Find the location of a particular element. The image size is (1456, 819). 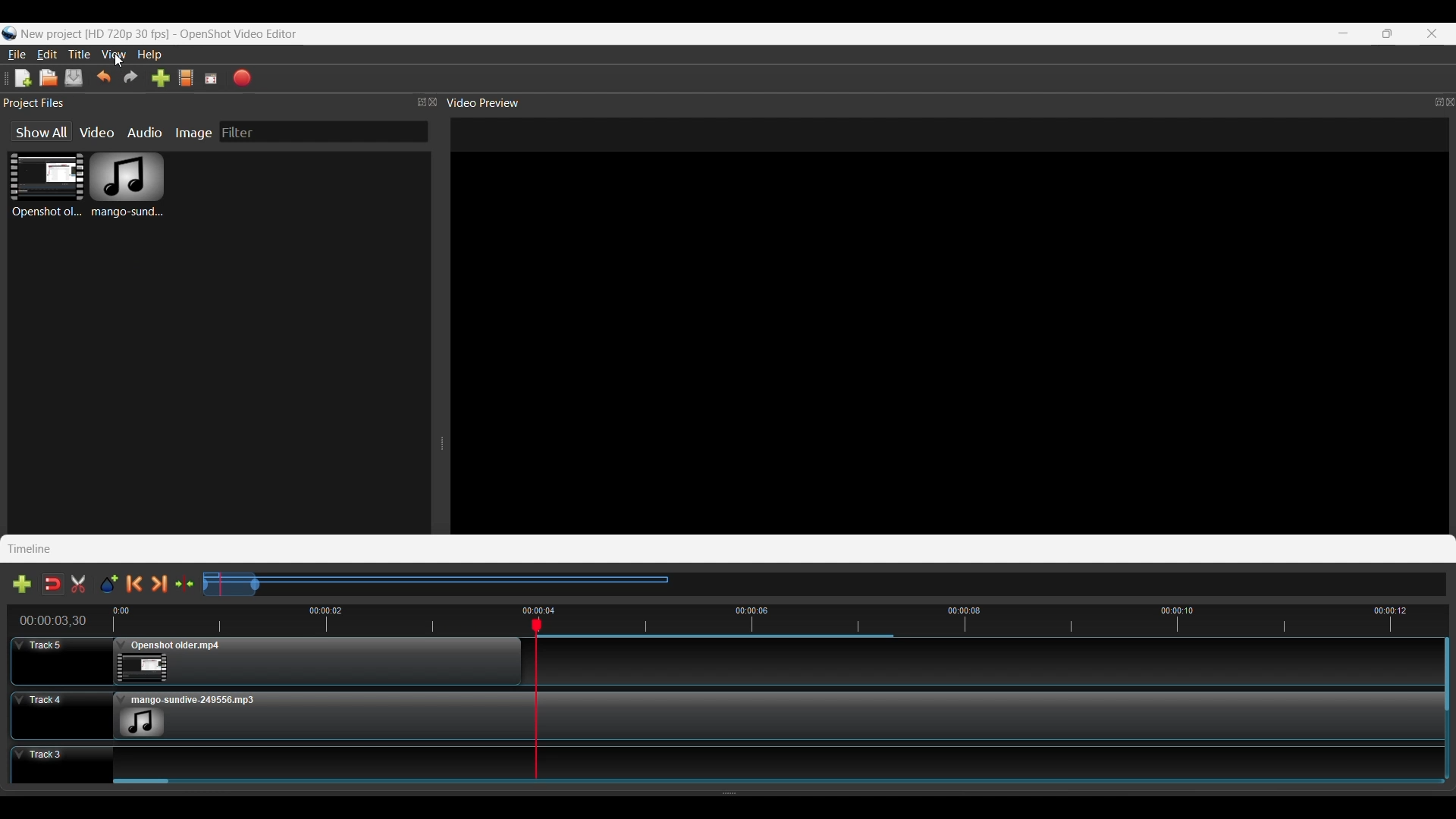

Video is located at coordinates (97, 132).